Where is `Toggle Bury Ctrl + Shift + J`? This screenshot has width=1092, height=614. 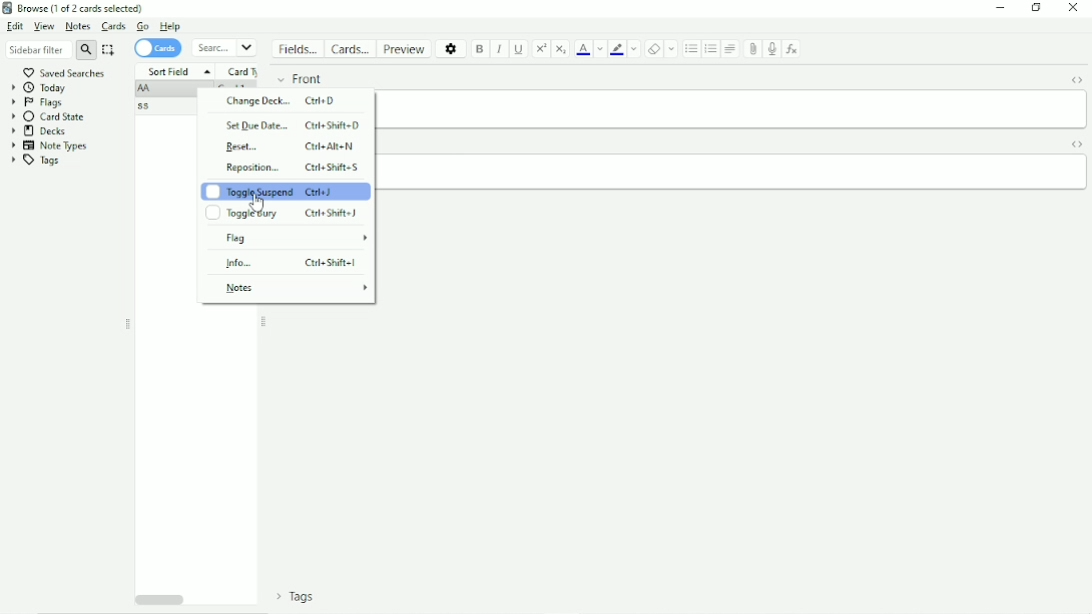 Toggle Bury Ctrl + Shift + J is located at coordinates (284, 215).